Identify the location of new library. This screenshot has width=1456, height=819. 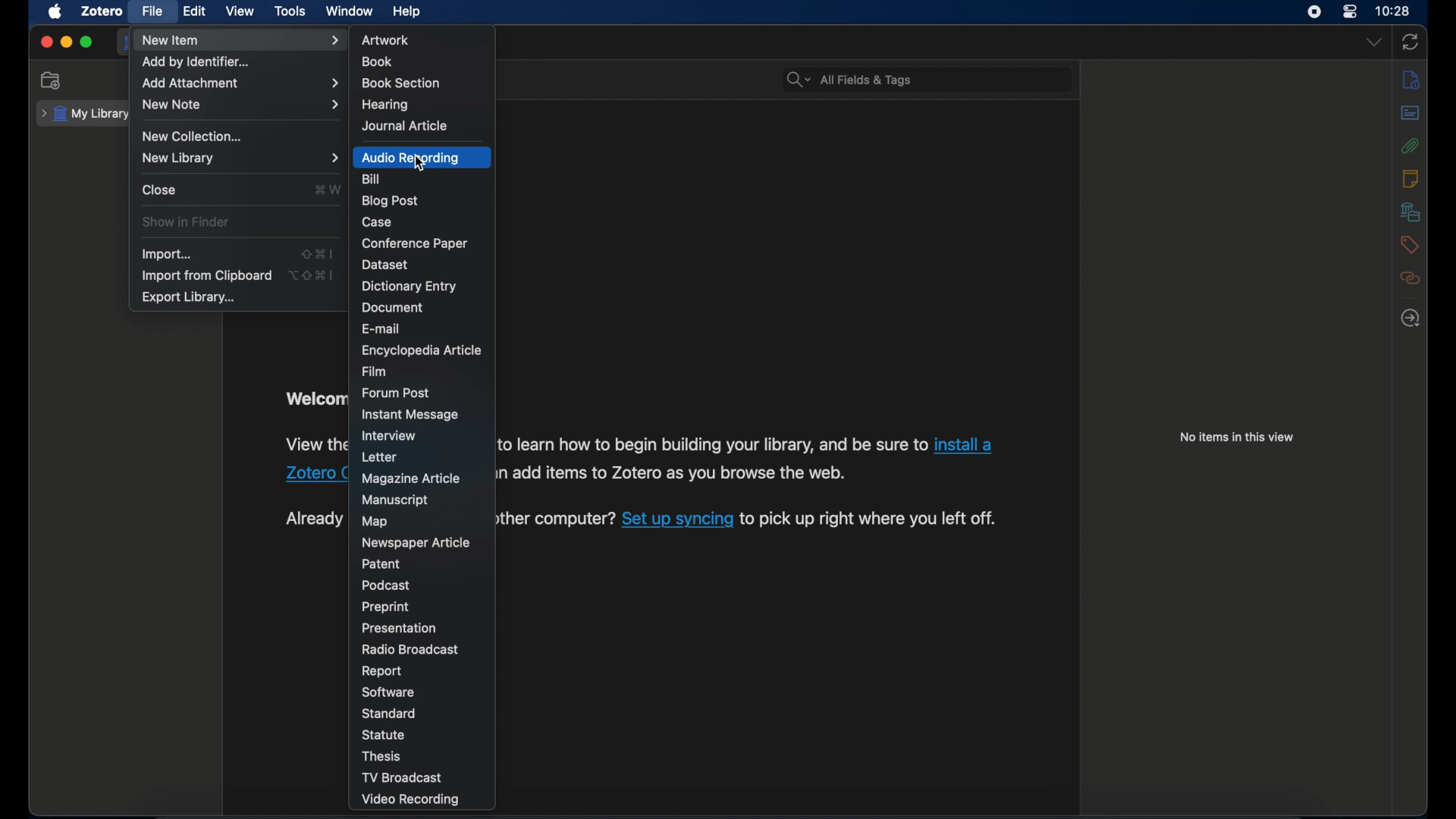
(242, 158).